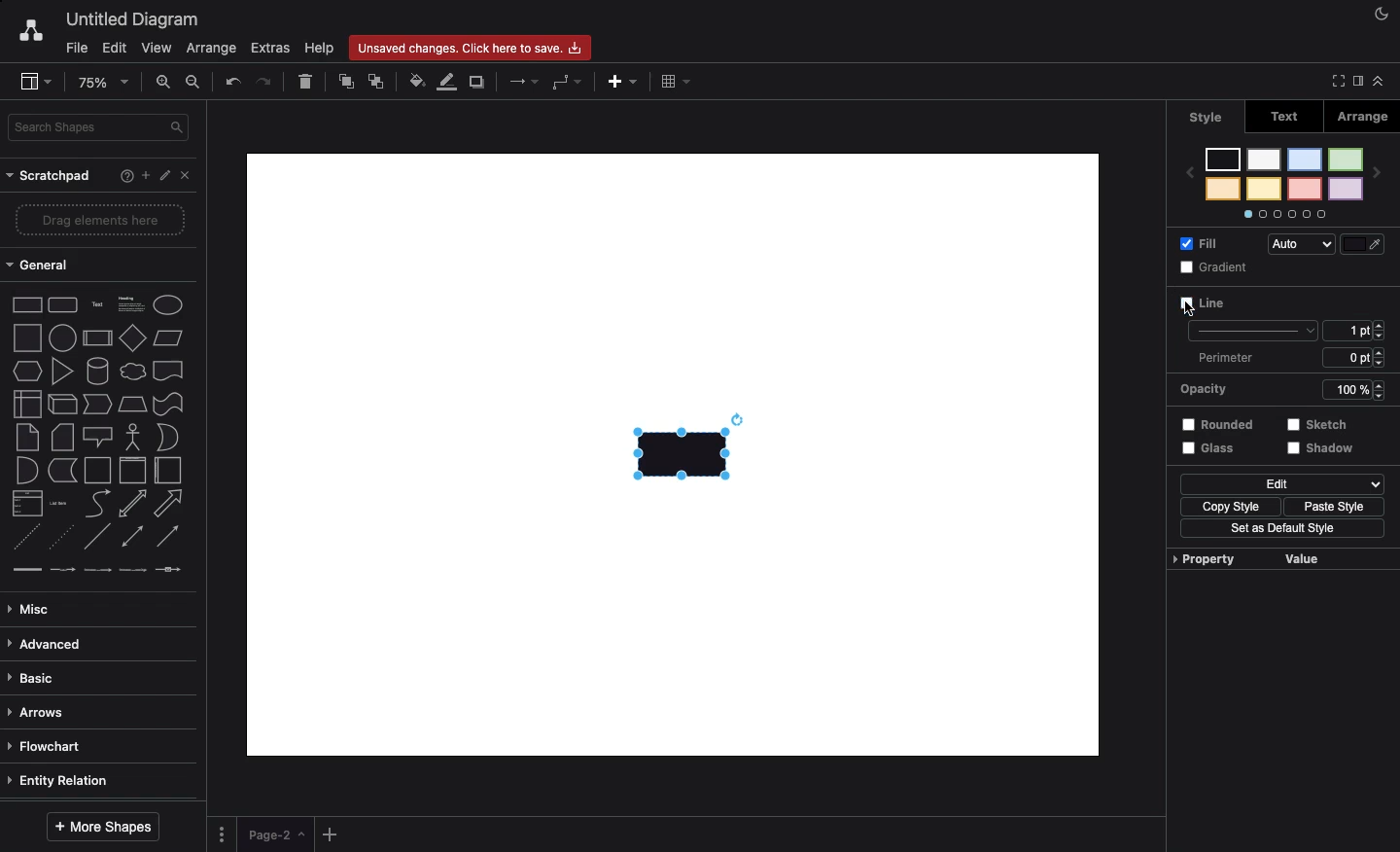  Describe the element at coordinates (1263, 190) in the screenshot. I see `color 6` at that location.